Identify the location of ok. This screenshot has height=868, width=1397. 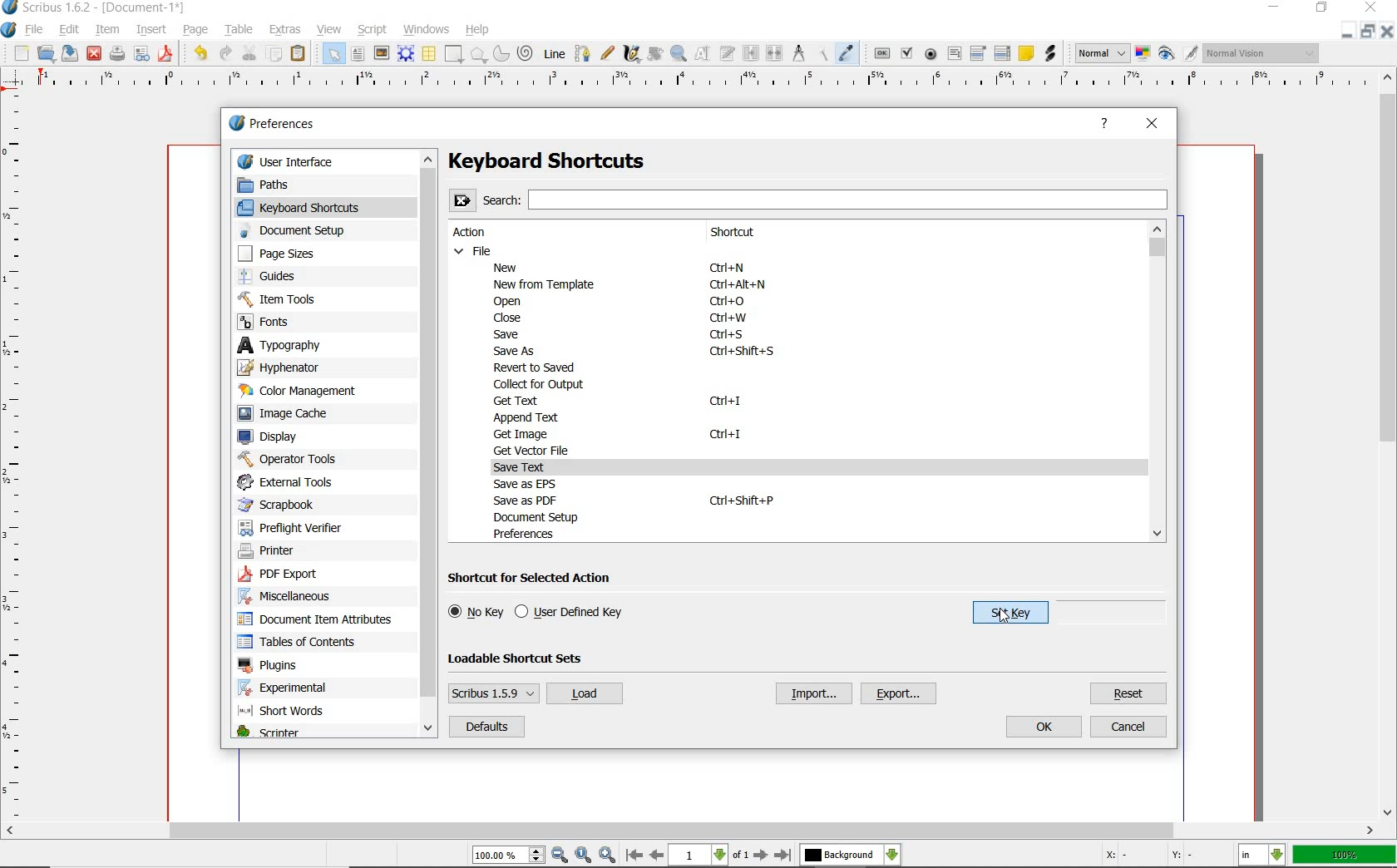
(1045, 727).